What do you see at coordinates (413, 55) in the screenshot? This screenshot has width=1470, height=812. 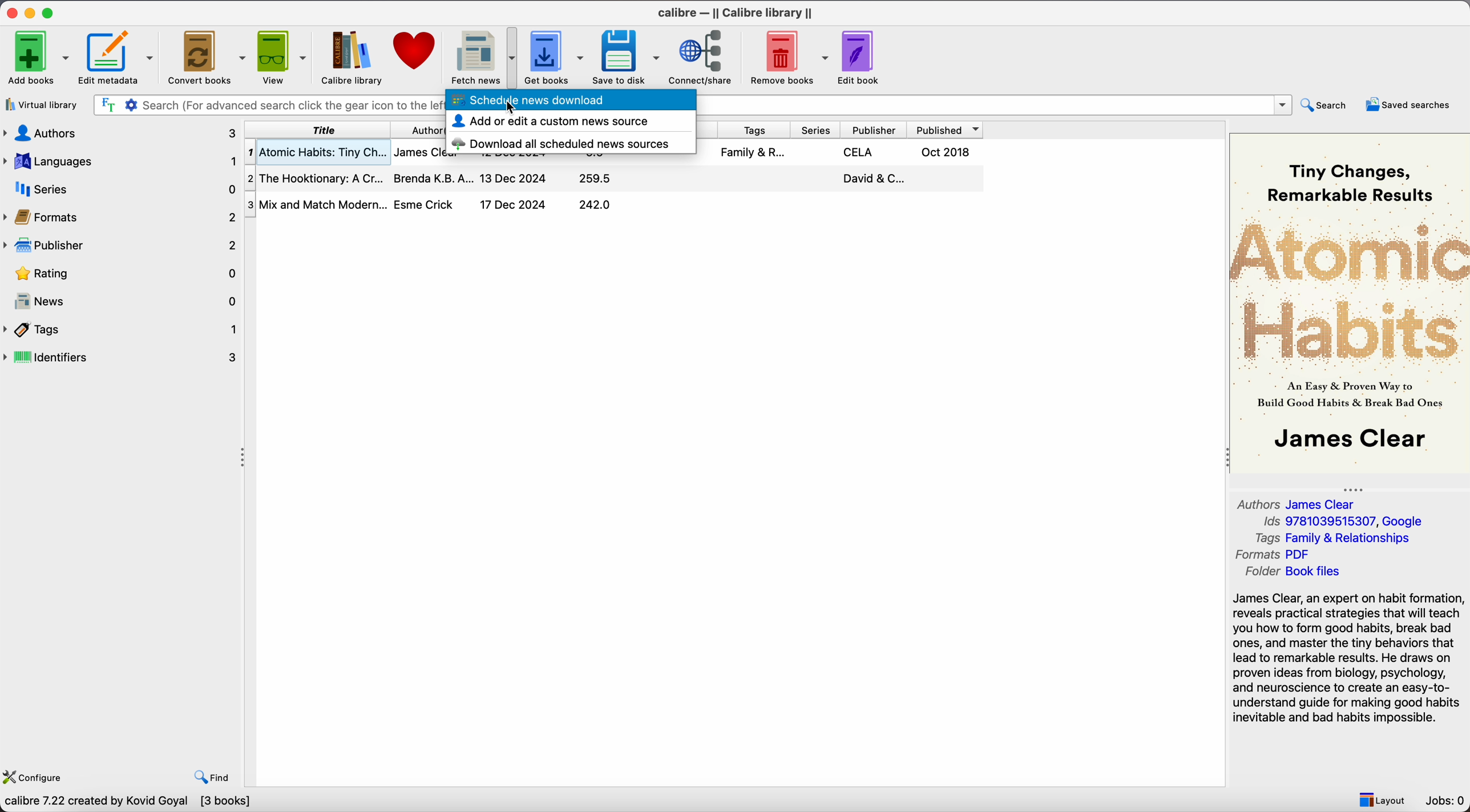 I see `donate` at bounding box center [413, 55].